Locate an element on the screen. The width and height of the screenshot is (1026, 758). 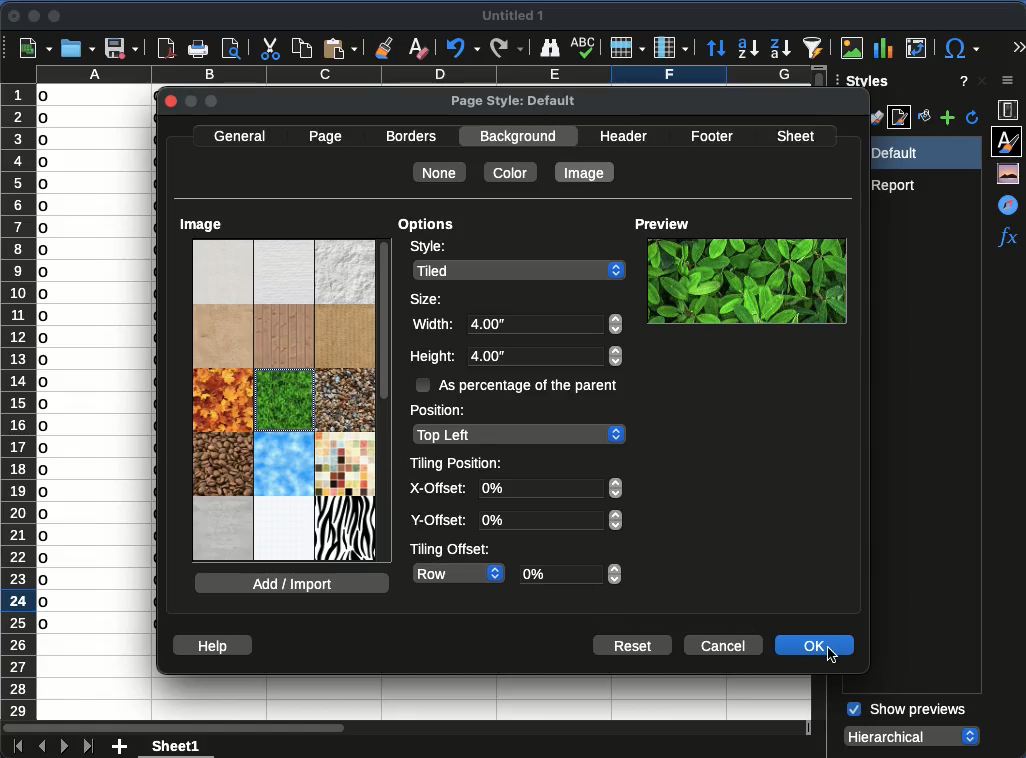
undo is located at coordinates (463, 49).